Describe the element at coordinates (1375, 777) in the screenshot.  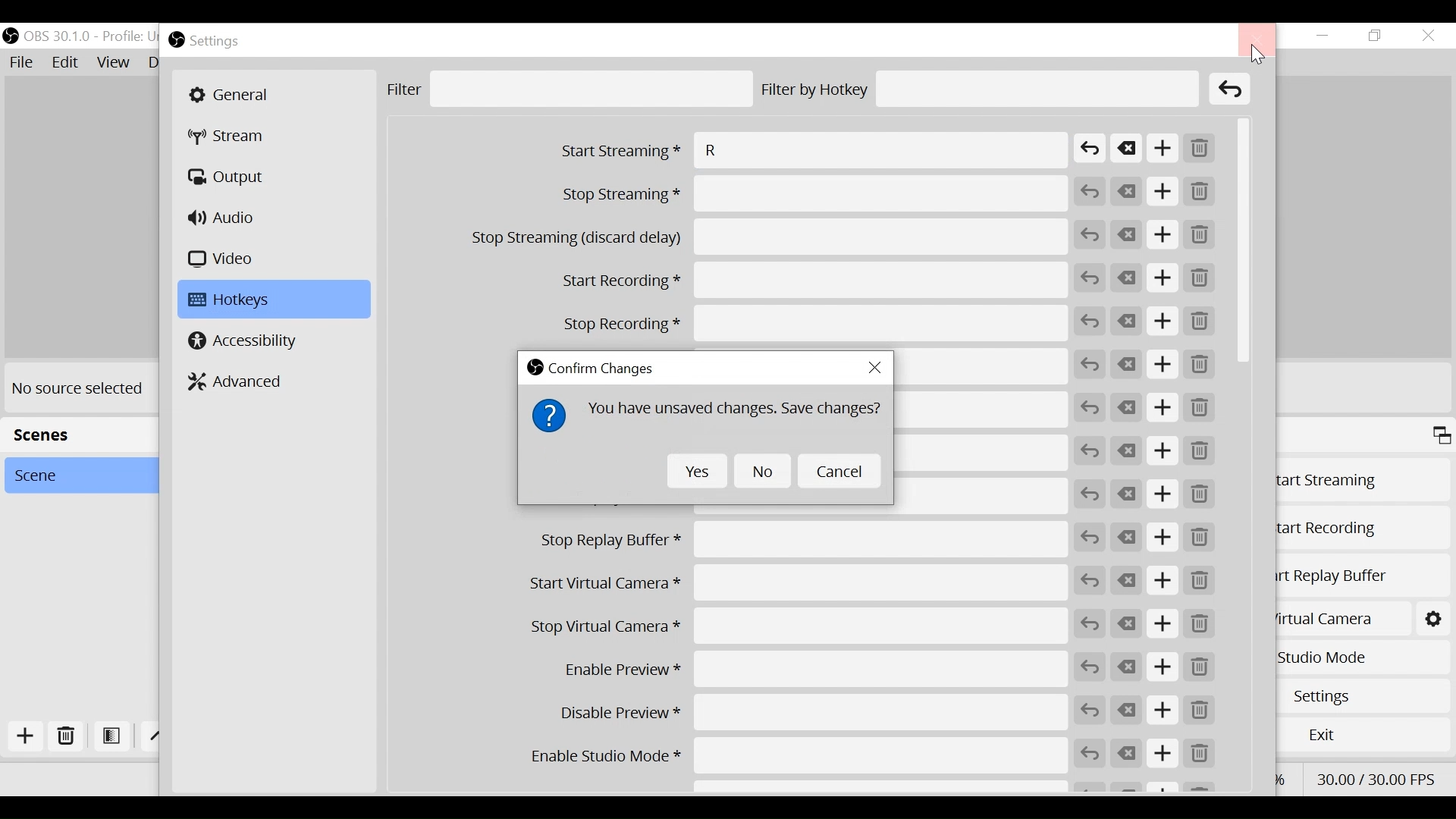
I see `Frame Per Second` at that location.